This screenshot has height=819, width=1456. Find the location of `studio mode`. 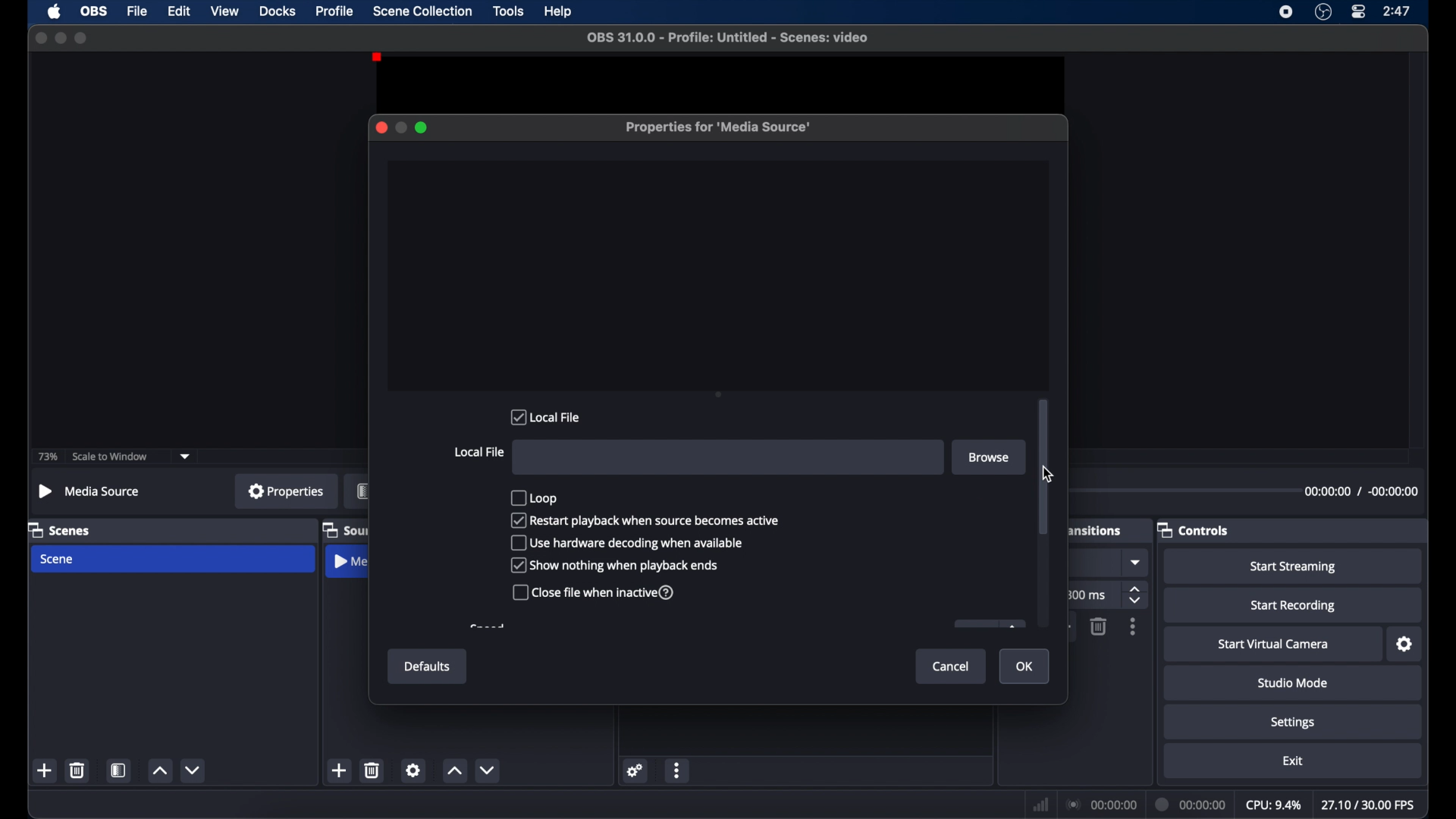

studio mode is located at coordinates (1293, 684).